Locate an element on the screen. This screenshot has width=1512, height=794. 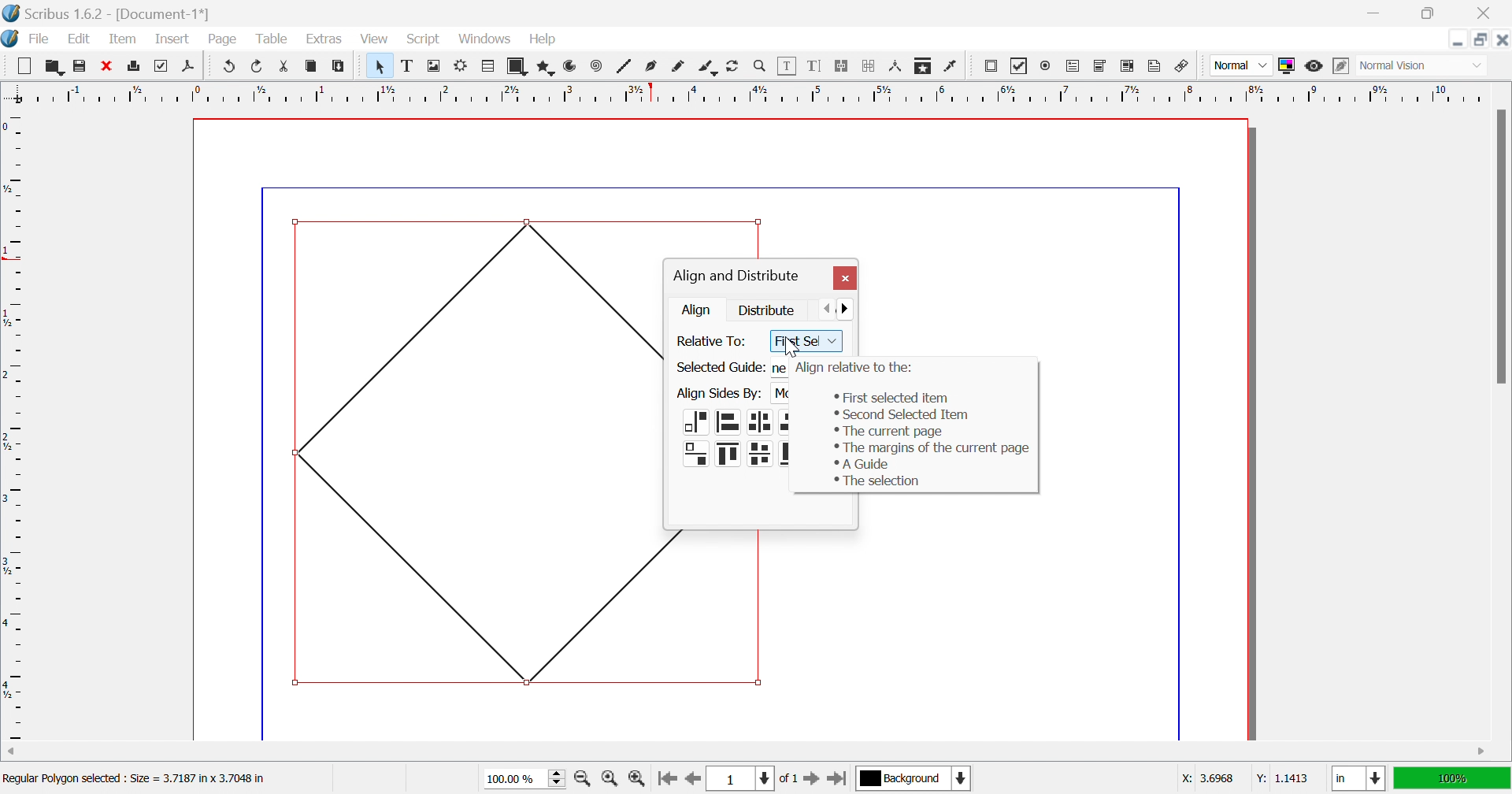
Minimize is located at coordinates (1458, 39).